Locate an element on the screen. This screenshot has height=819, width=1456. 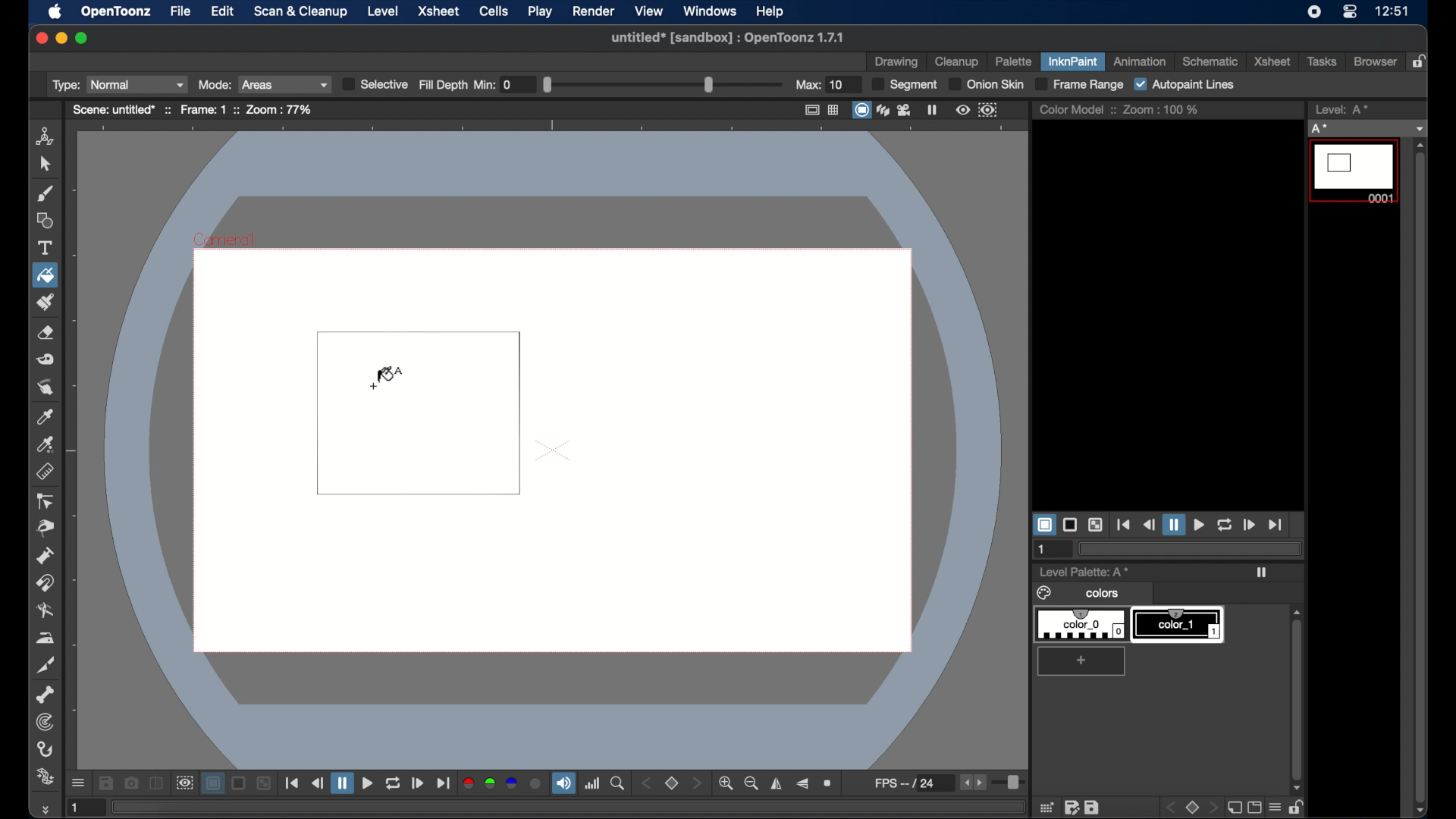
stop is located at coordinates (1194, 807).